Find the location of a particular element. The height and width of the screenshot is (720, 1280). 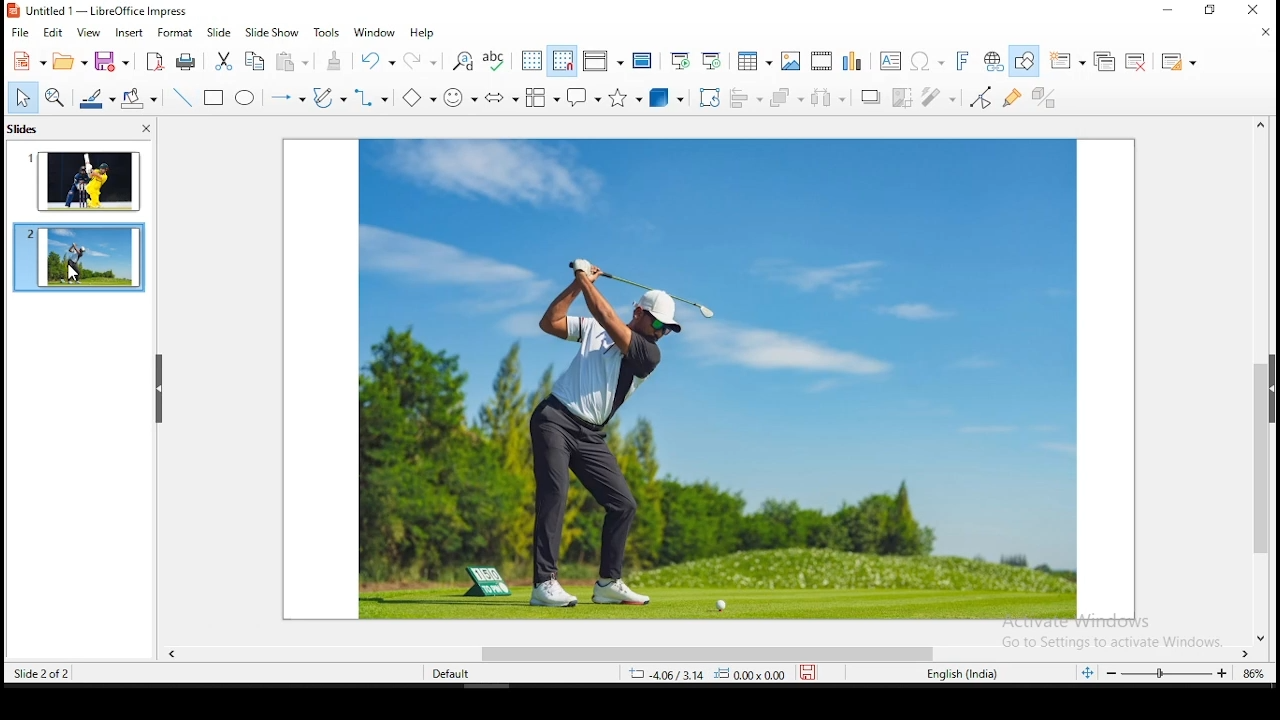

slide 1 is located at coordinates (84, 184).